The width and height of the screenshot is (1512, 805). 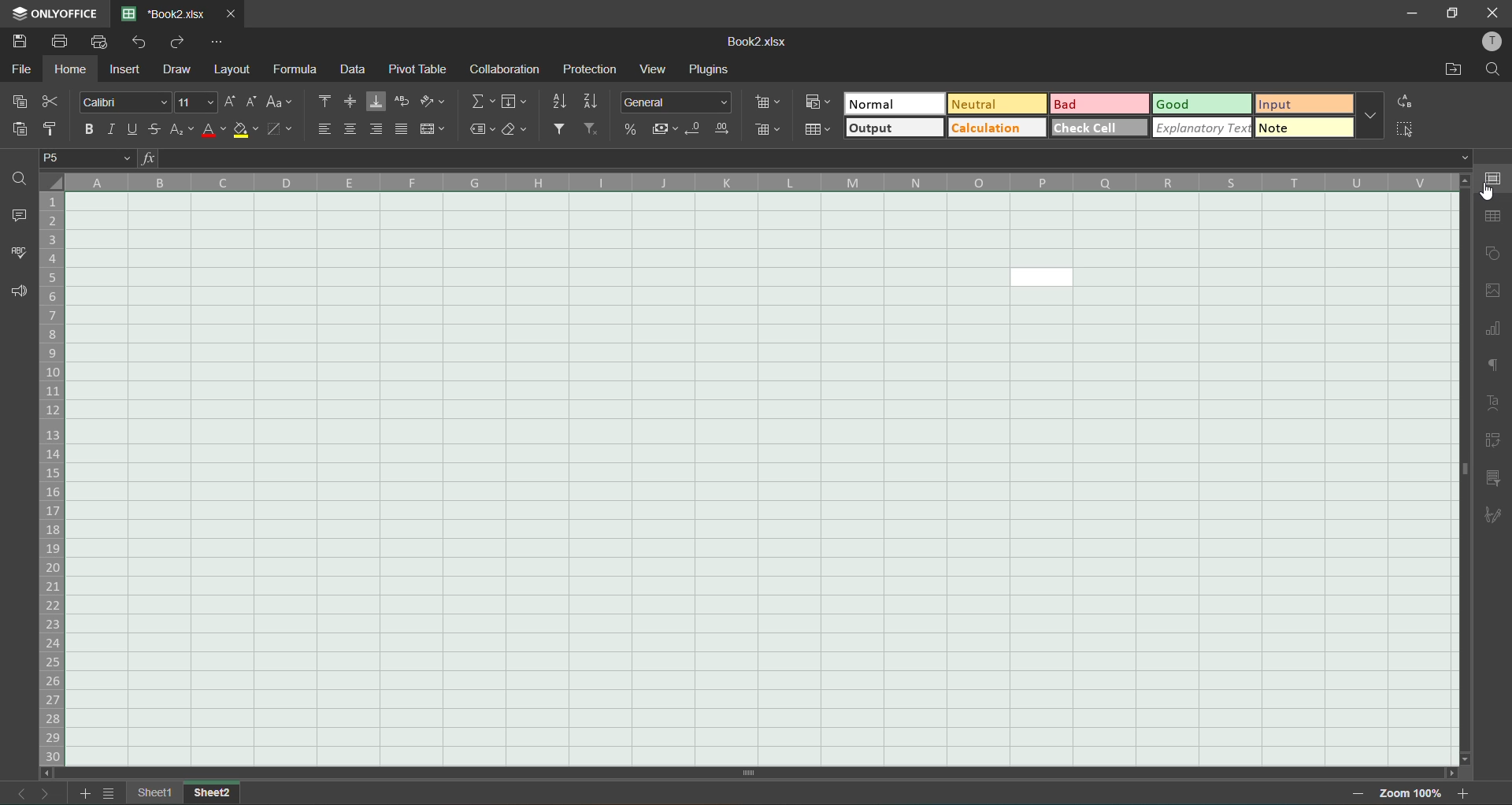 What do you see at coordinates (1416, 15) in the screenshot?
I see `minimize` at bounding box center [1416, 15].